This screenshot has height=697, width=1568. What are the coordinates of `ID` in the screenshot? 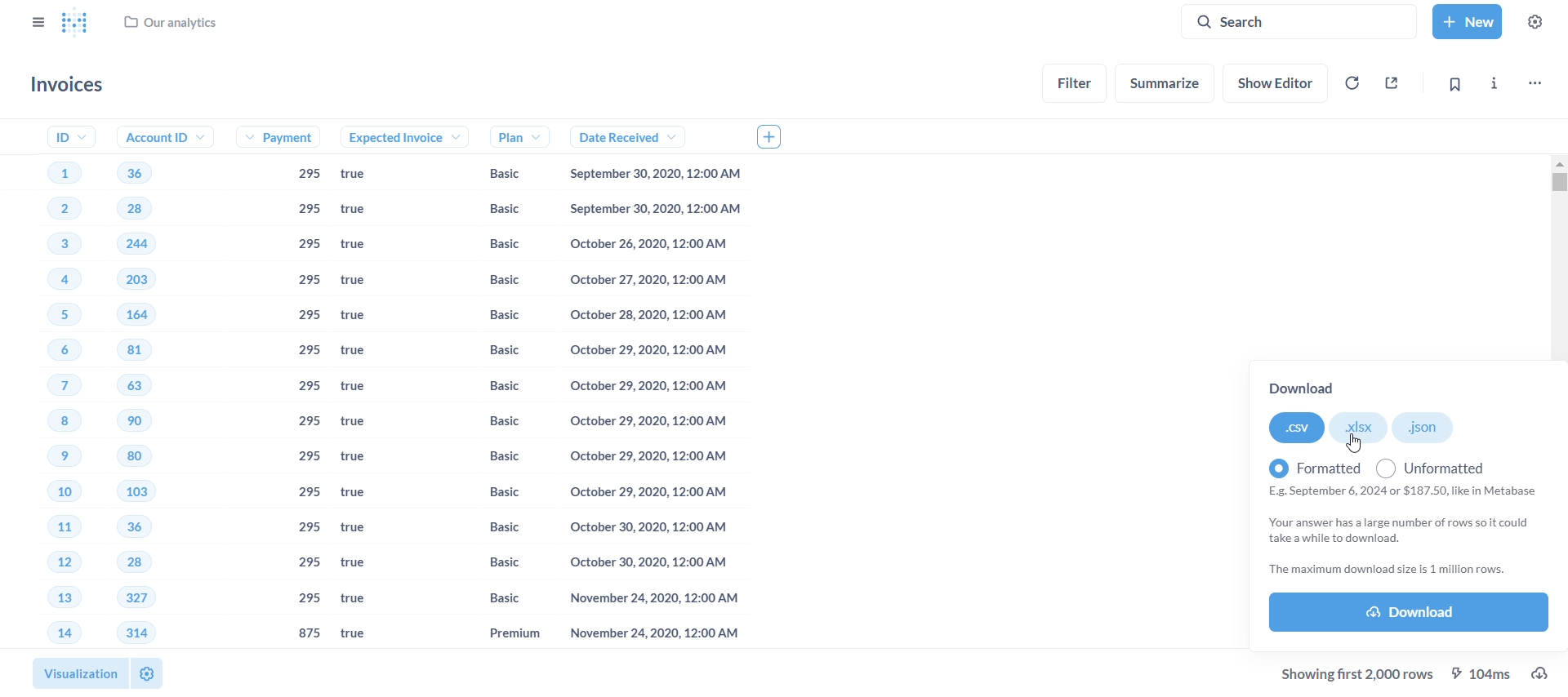 It's located at (62, 136).